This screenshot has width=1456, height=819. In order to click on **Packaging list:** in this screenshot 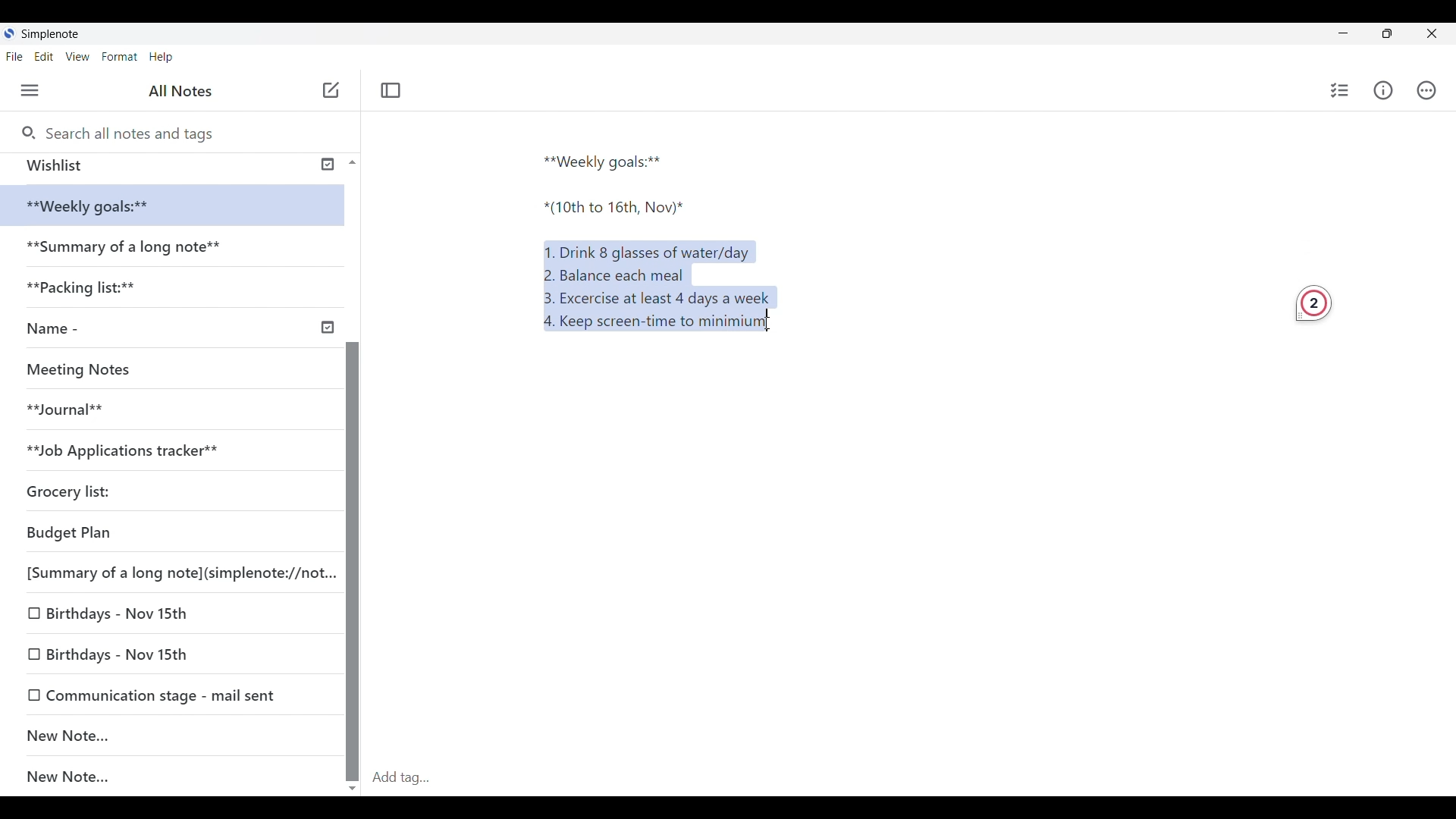, I will do `click(94, 292)`.